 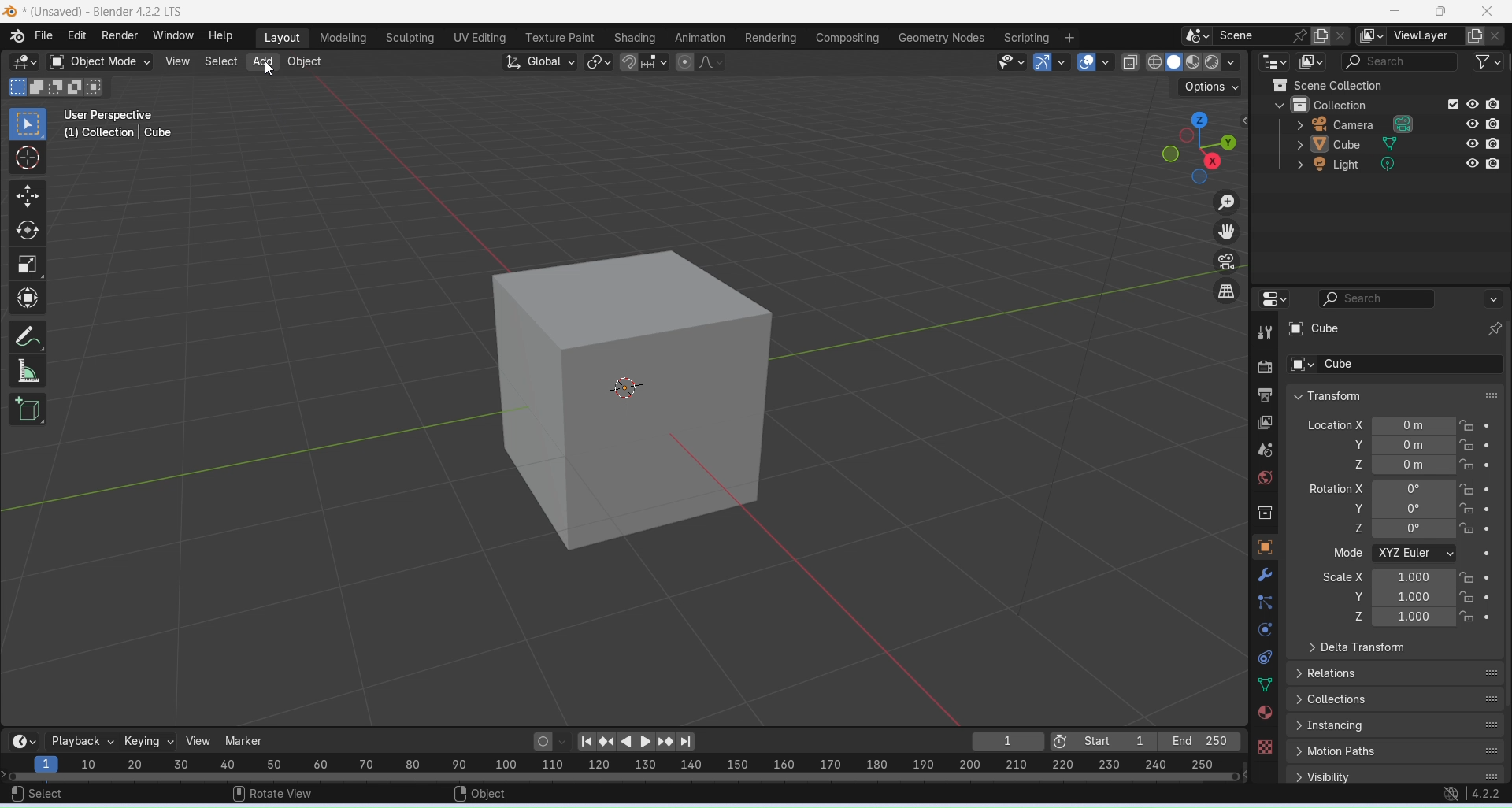 I want to click on Scripting, so click(x=1027, y=38).